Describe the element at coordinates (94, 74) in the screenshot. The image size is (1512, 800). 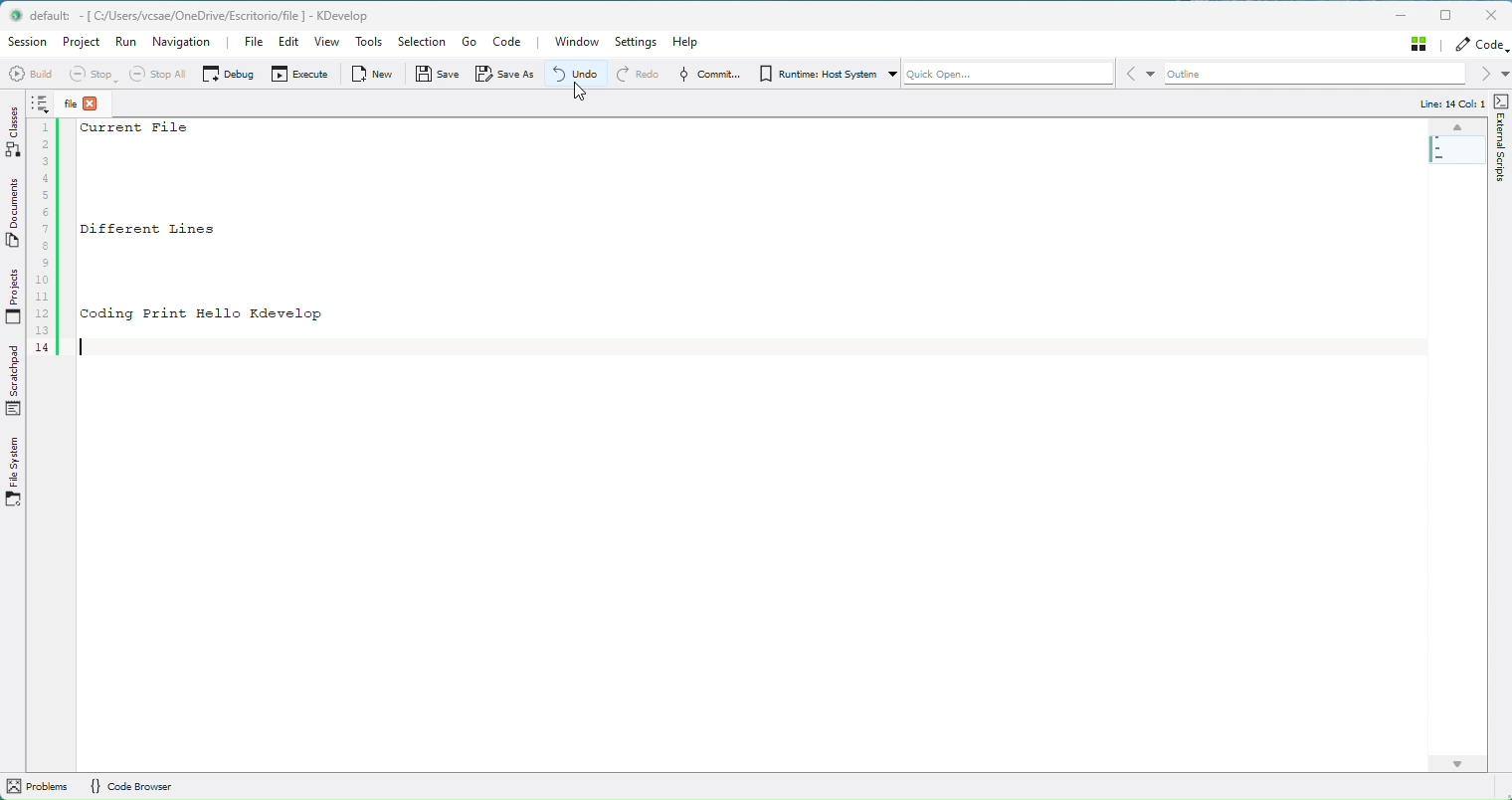
I see `Stop` at that location.